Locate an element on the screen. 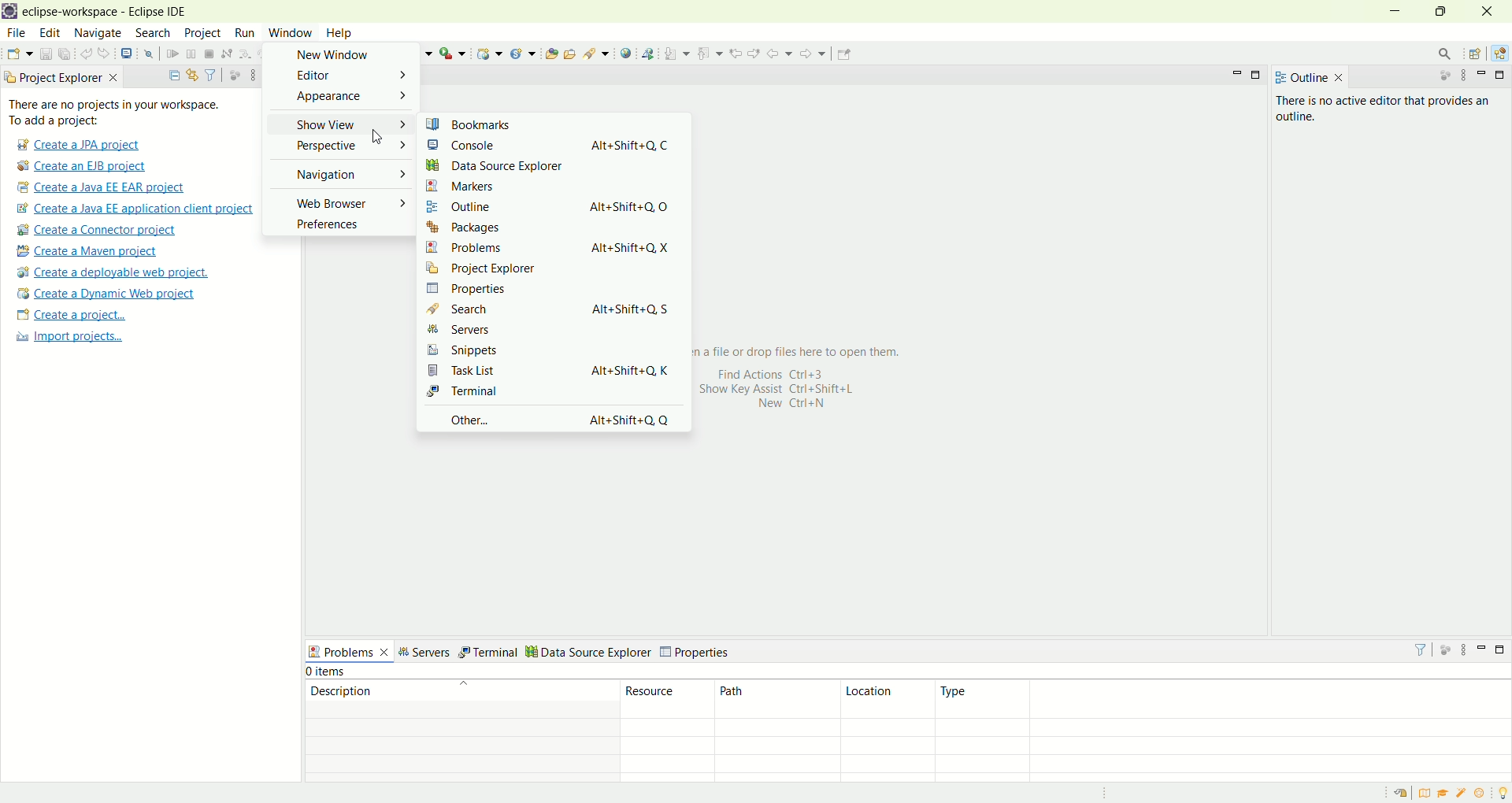 This screenshot has width=1512, height=803. view menu is located at coordinates (1466, 650).